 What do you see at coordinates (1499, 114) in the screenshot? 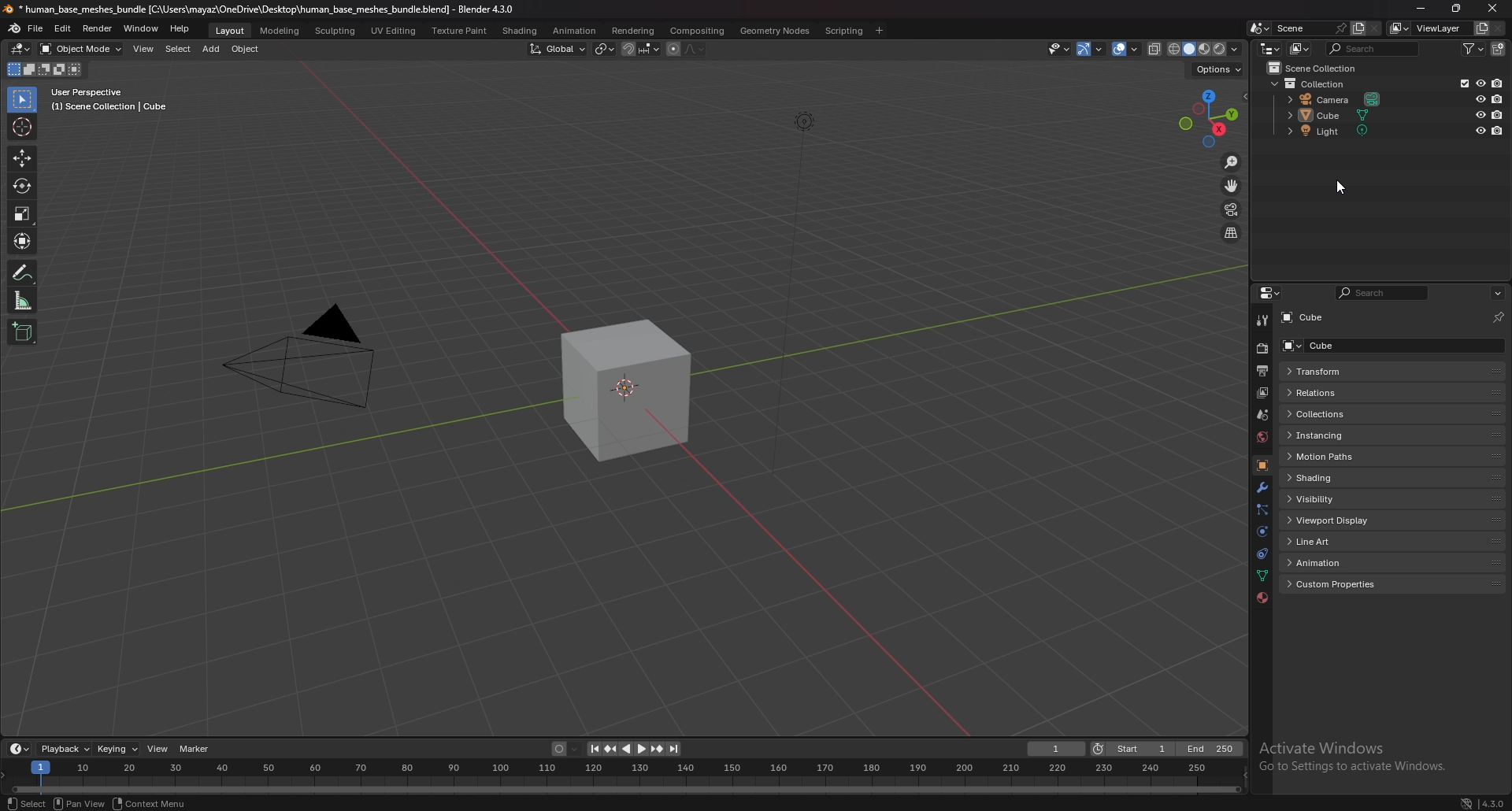
I see `disable in renders` at bounding box center [1499, 114].